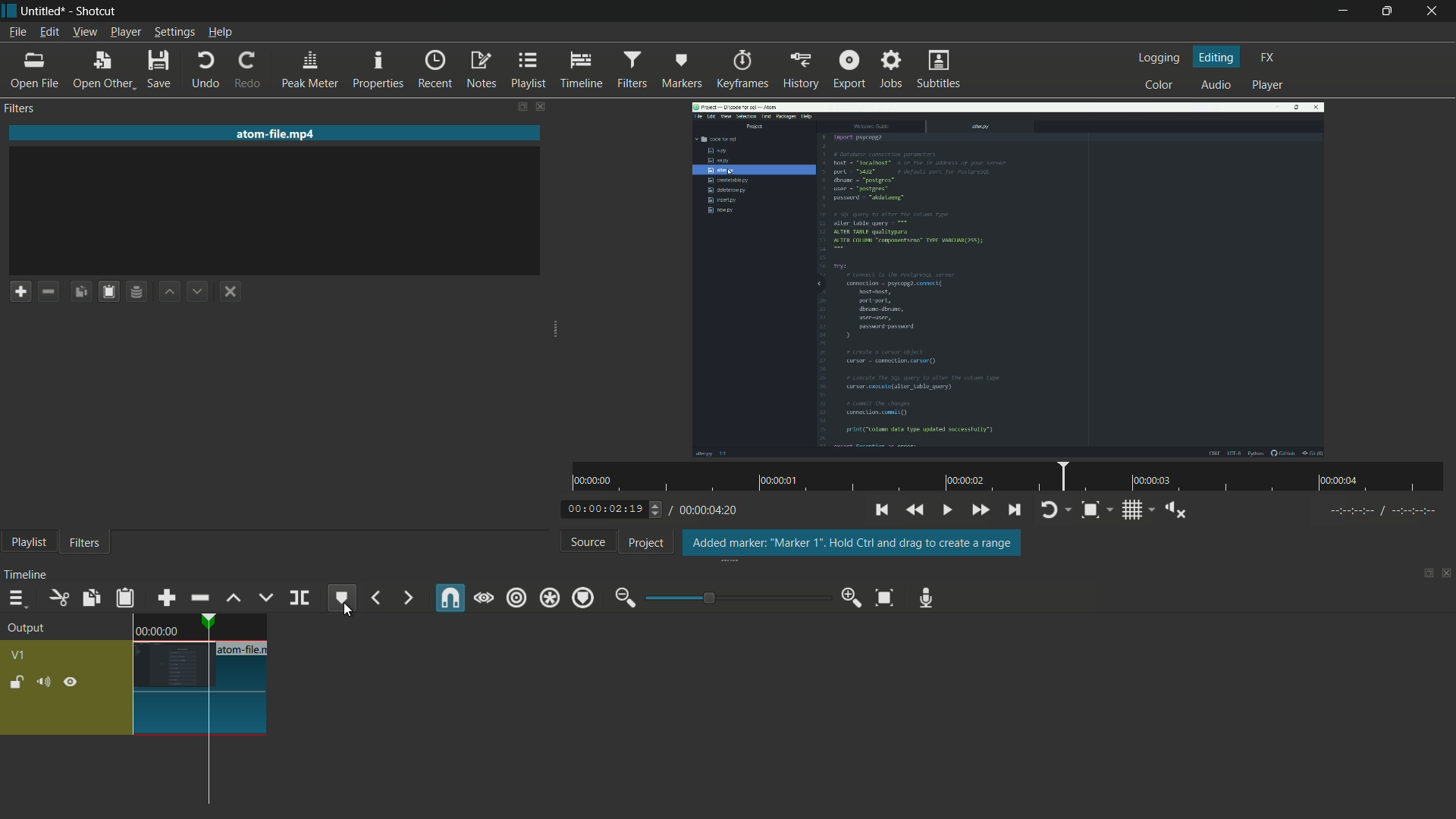 This screenshot has height=819, width=1456. Describe the element at coordinates (345, 610) in the screenshot. I see `cursor` at that location.